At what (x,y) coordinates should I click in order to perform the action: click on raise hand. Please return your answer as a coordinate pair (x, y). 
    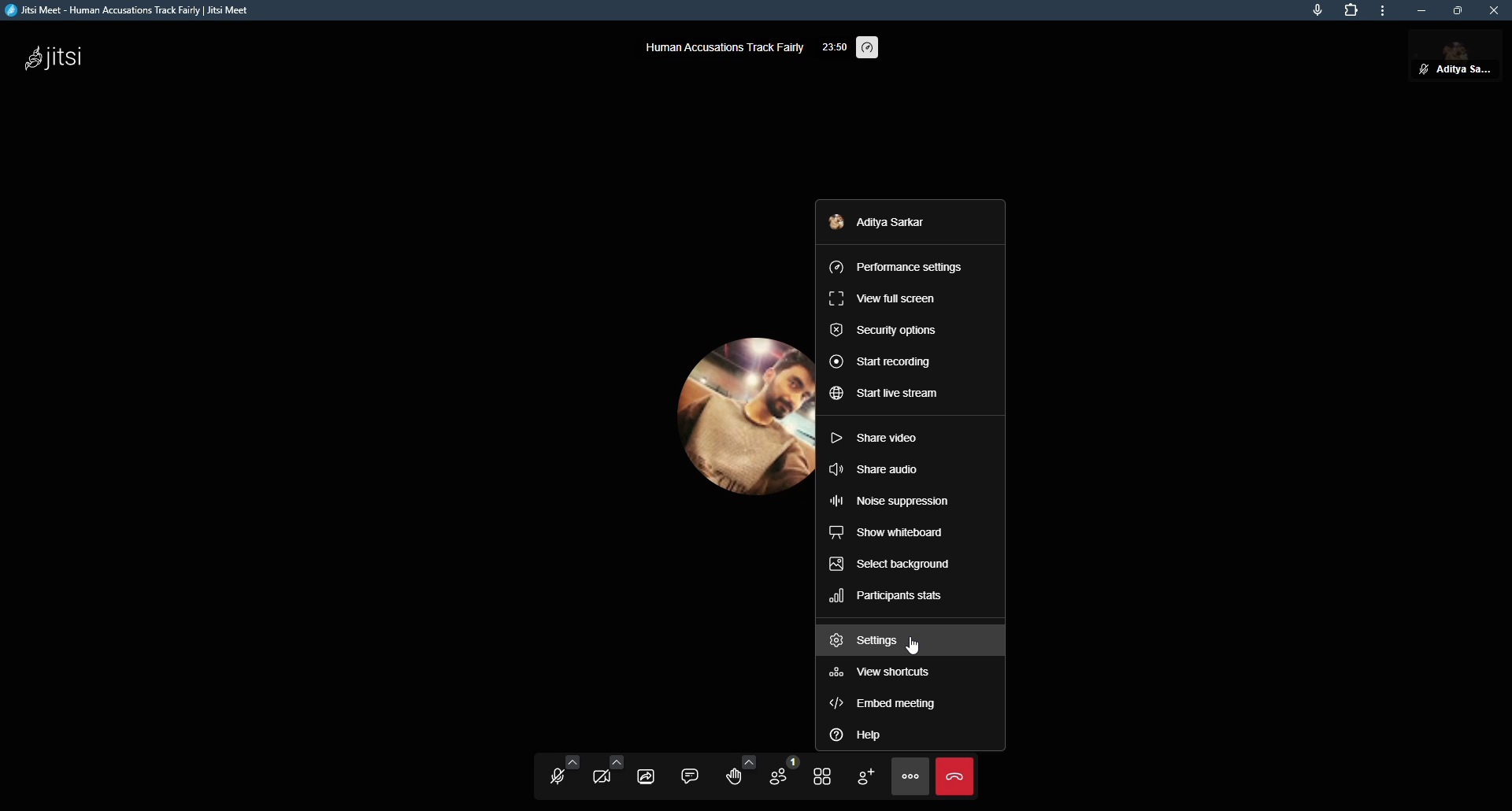
    Looking at the image, I should click on (736, 773).